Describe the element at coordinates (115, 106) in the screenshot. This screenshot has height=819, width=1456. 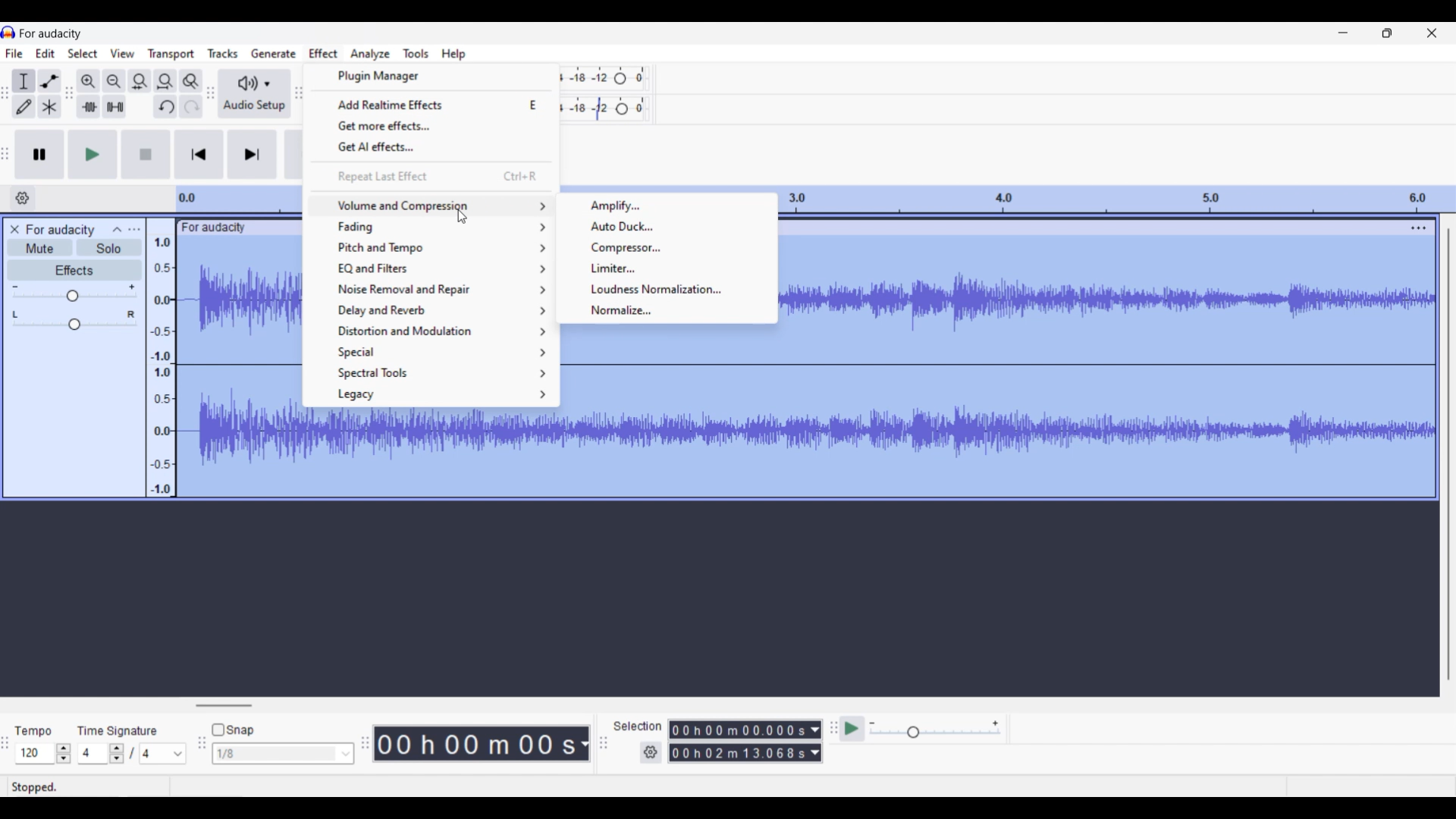
I see `Silence audio selection` at that location.